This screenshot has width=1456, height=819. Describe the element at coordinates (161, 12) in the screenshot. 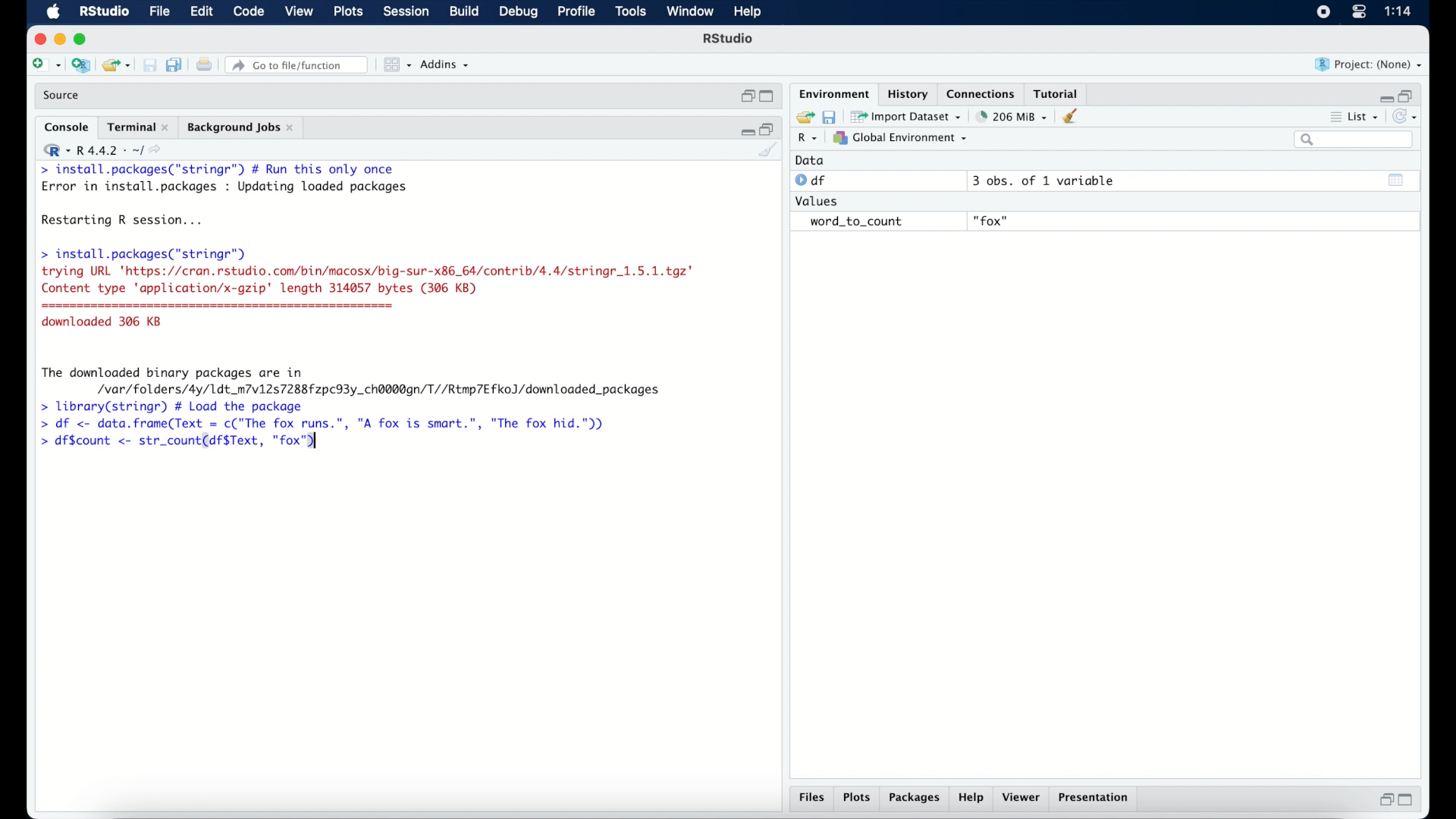

I see `file` at that location.